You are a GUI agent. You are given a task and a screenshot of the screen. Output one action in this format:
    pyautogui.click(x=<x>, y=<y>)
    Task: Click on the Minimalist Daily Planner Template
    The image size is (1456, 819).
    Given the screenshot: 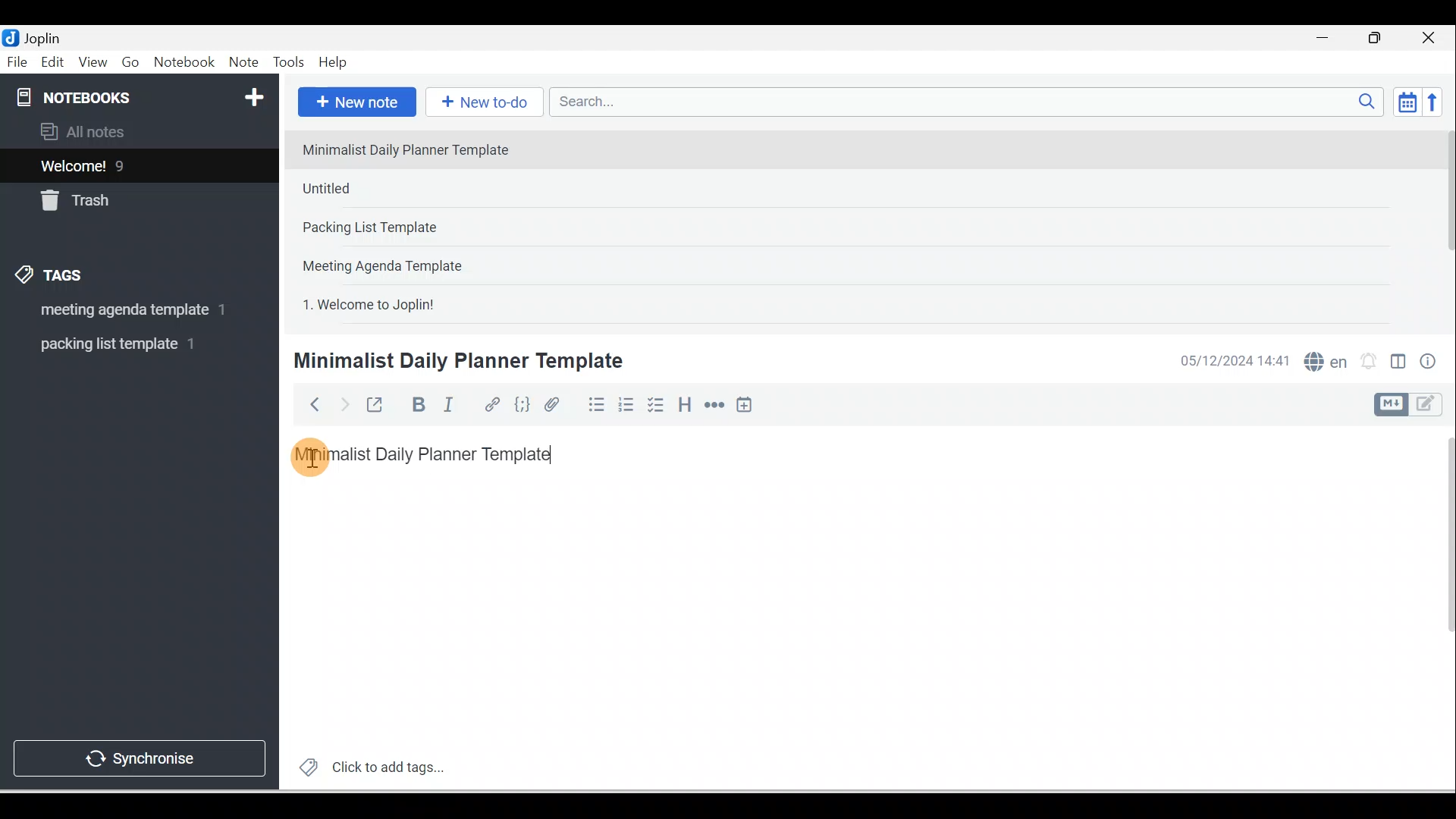 What is the action you would take?
    pyautogui.click(x=459, y=363)
    